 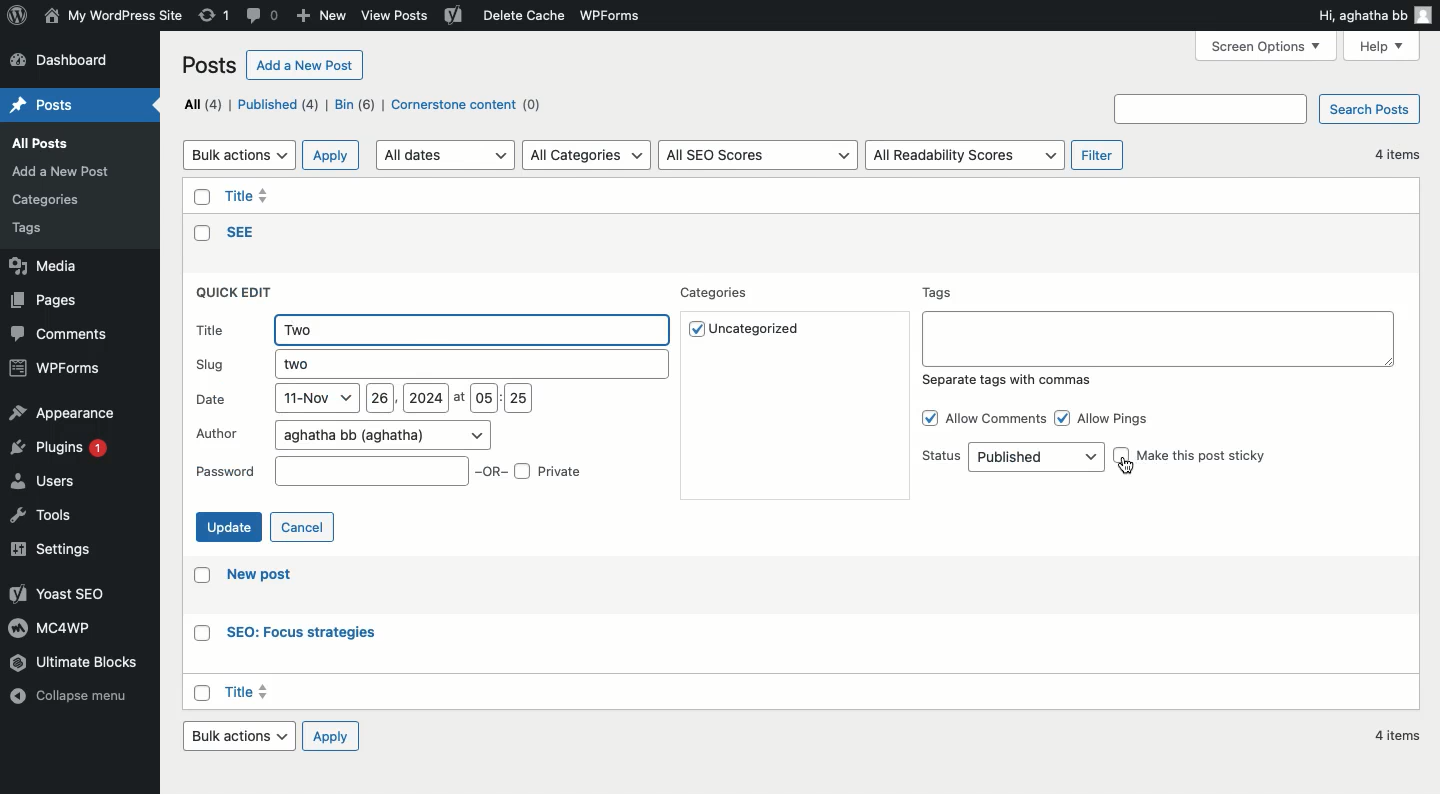 What do you see at coordinates (398, 17) in the screenshot?
I see `view posts` at bounding box center [398, 17].